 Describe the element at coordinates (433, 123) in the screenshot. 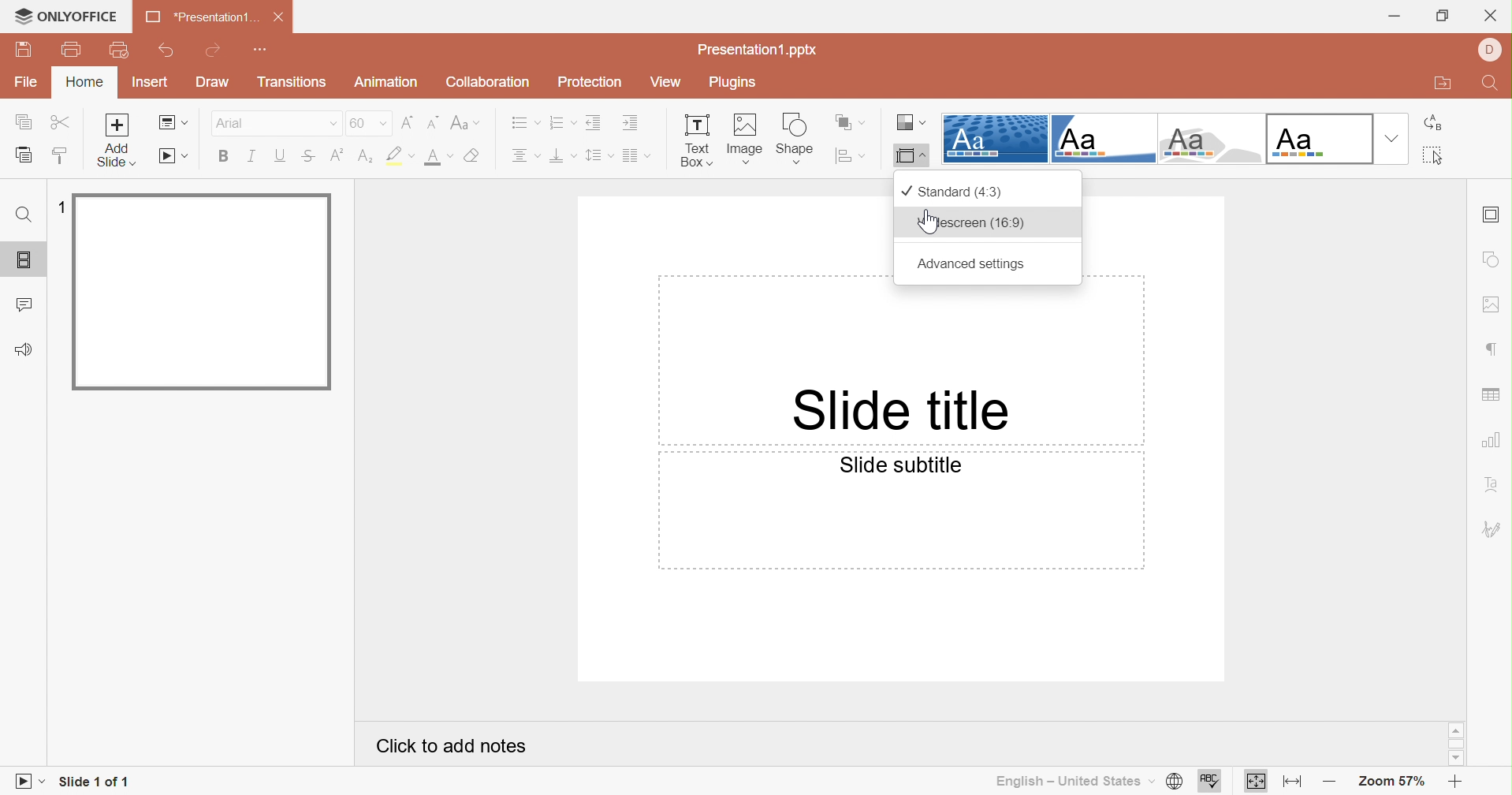

I see `Decrement font size` at that location.